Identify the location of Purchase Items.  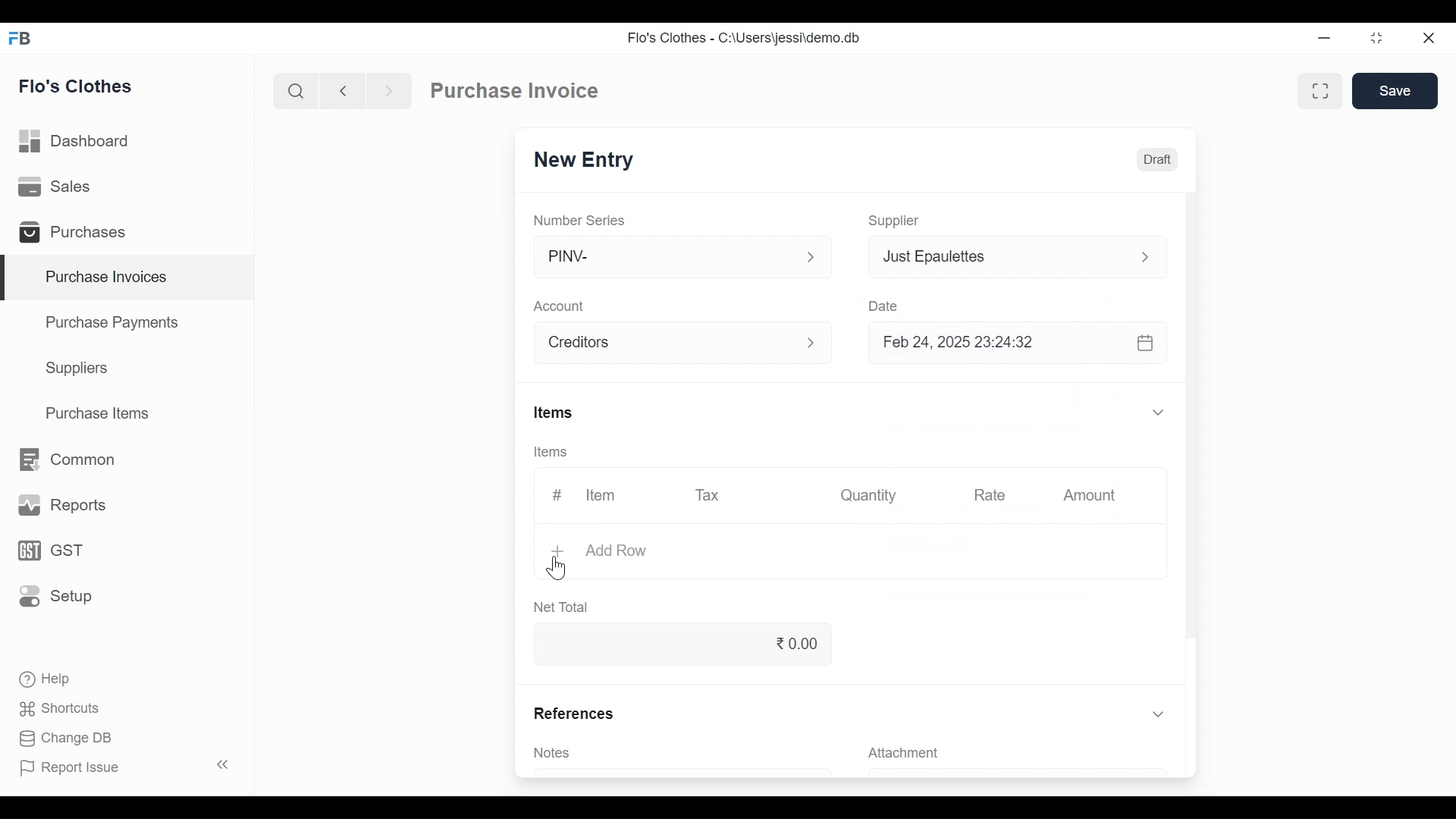
(101, 413).